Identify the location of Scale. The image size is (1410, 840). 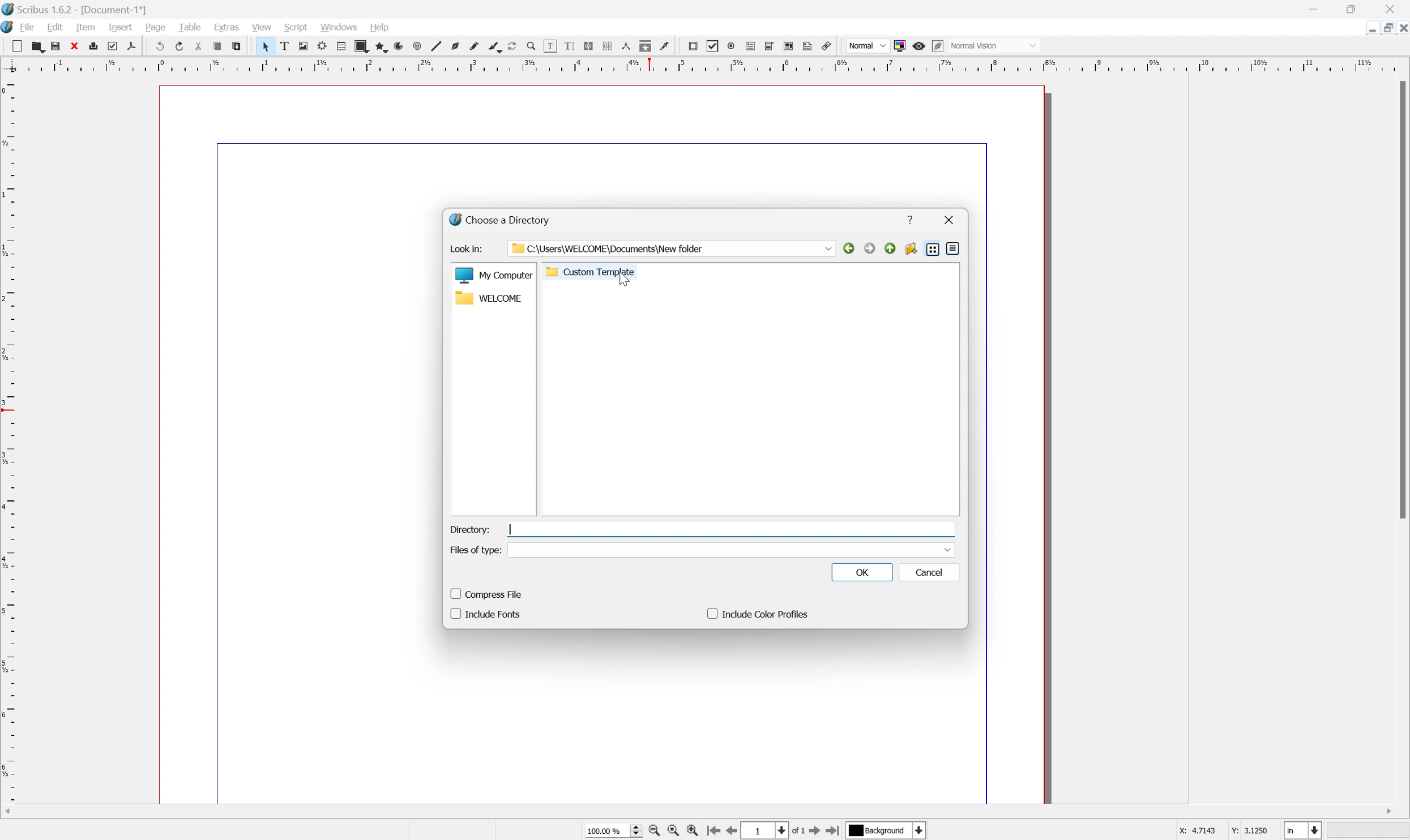
(707, 64).